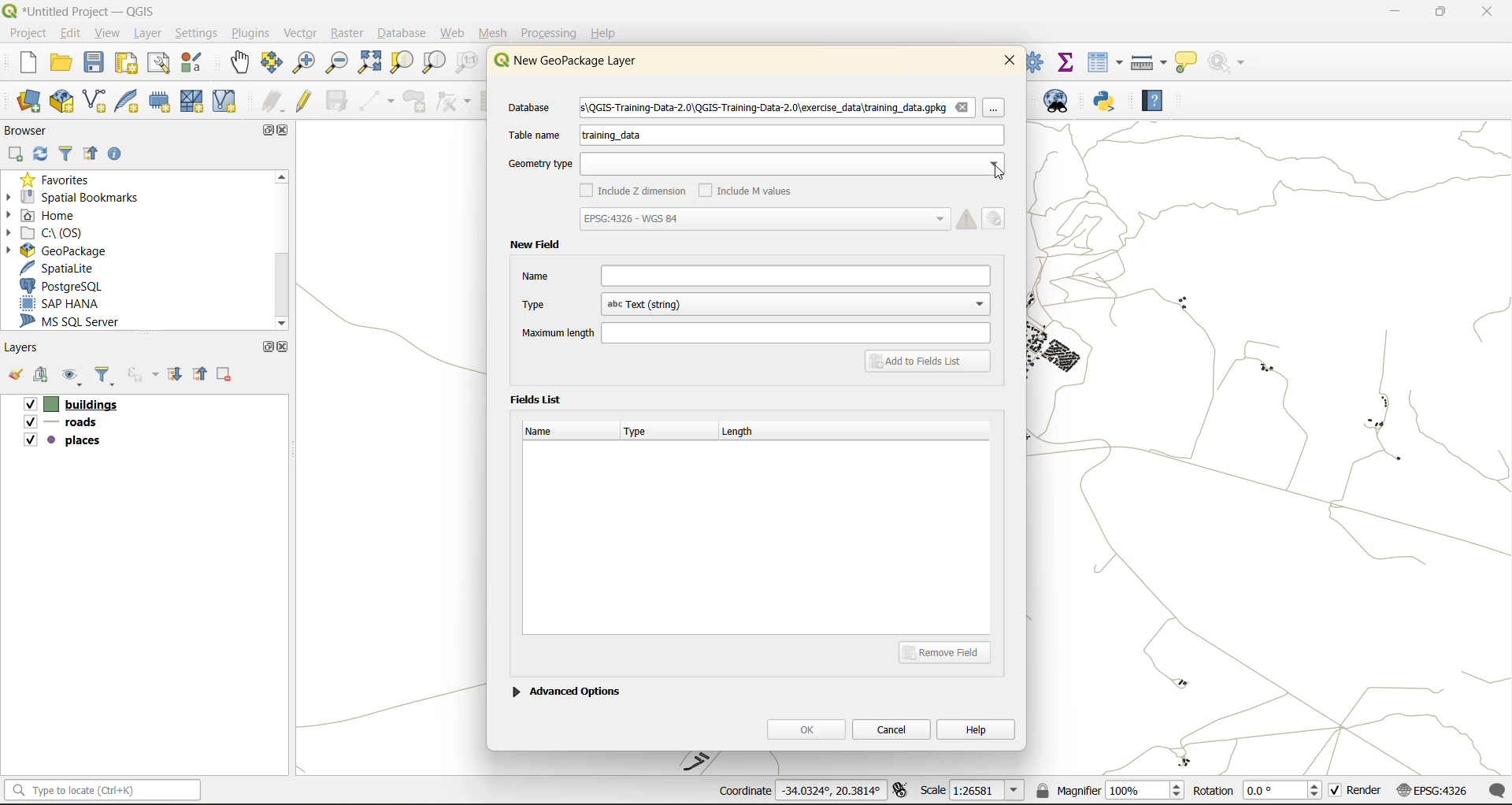 This screenshot has width=1512, height=805. Describe the element at coordinates (94, 154) in the screenshot. I see `collapse all` at that location.